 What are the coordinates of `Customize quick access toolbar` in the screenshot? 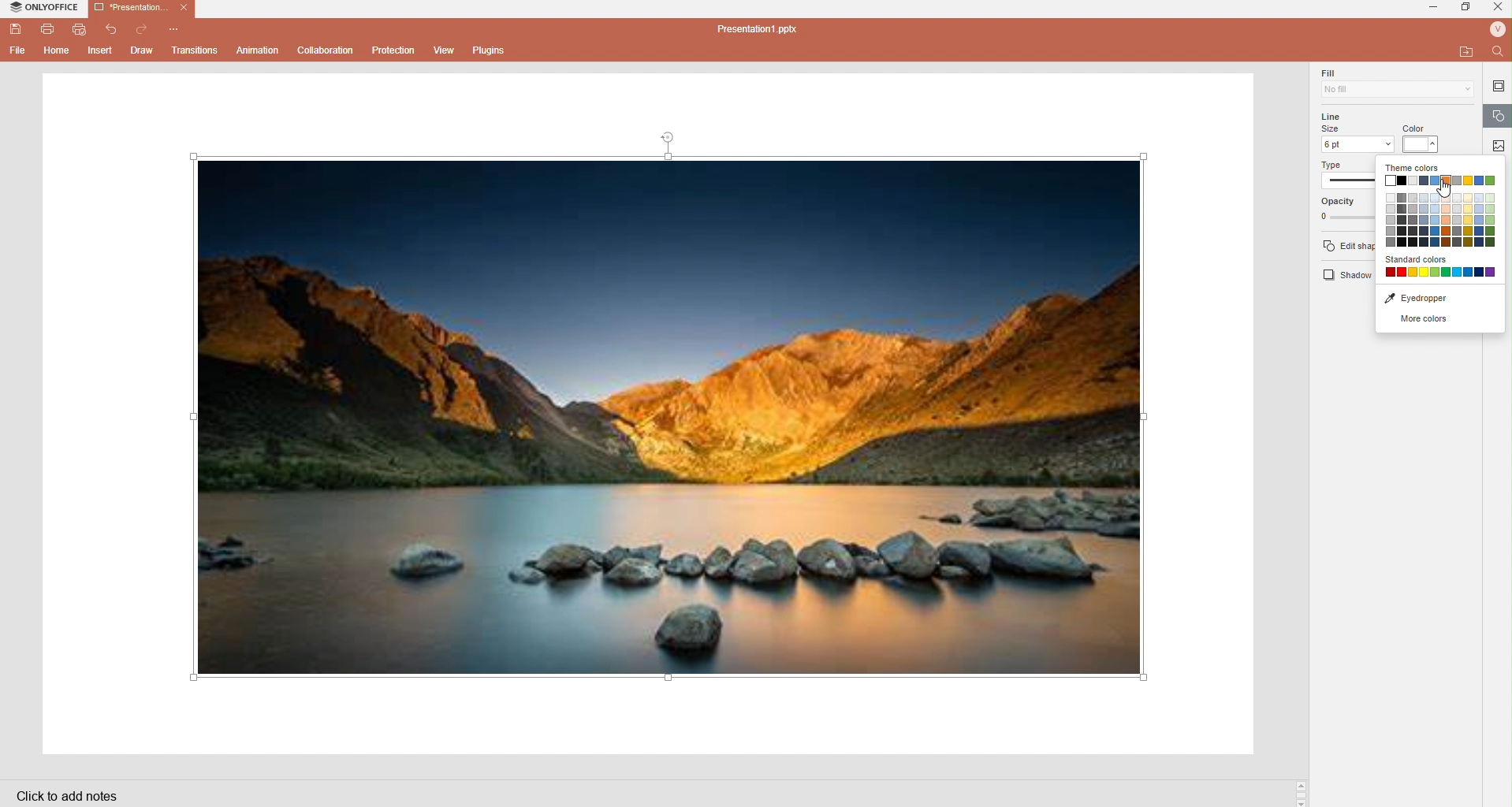 It's located at (176, 28).